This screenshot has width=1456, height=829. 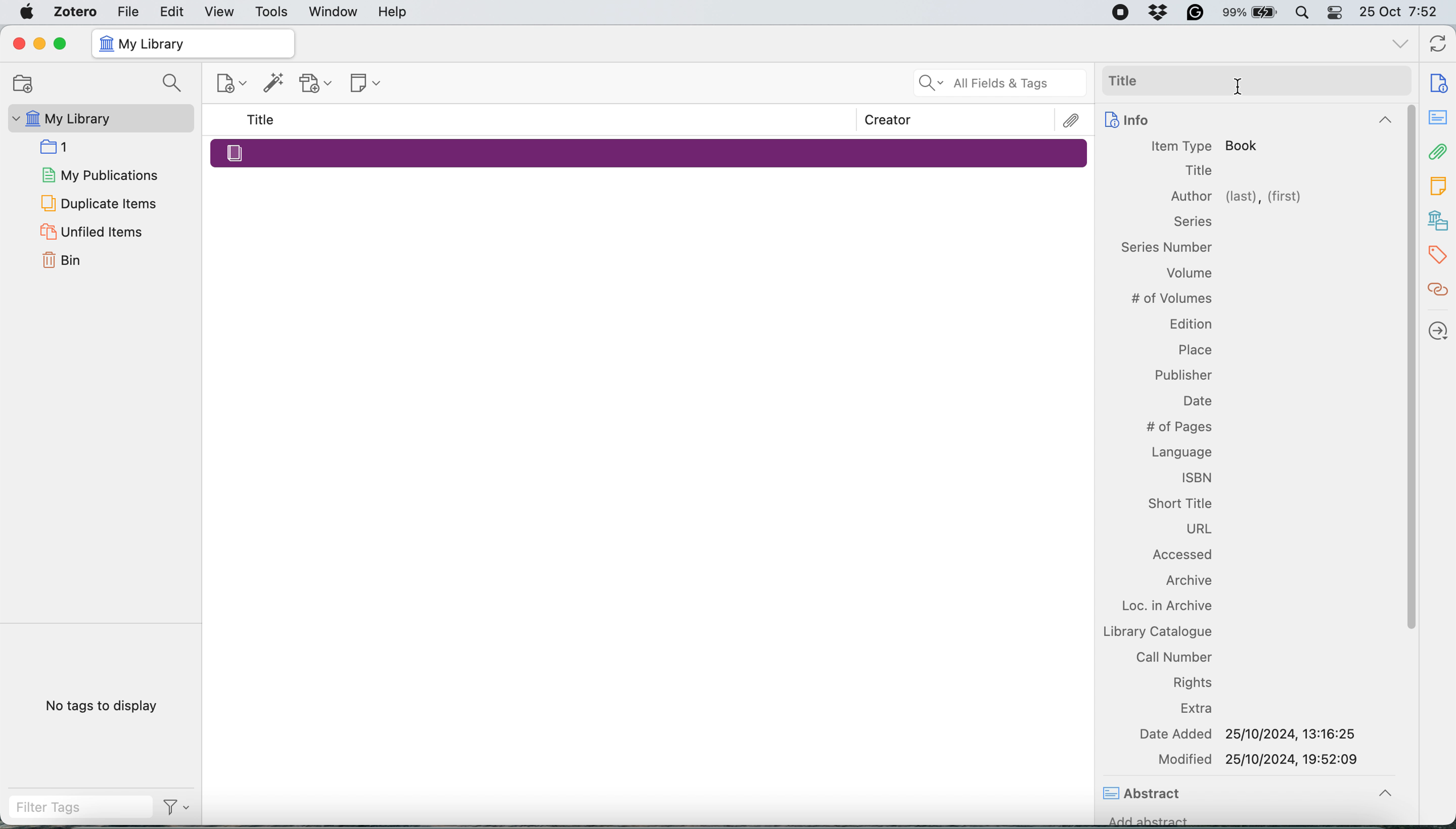 What do you see at coordinates (99, 173) in the screenshot?
I see `My Publications` at bounding box center [99, 173].